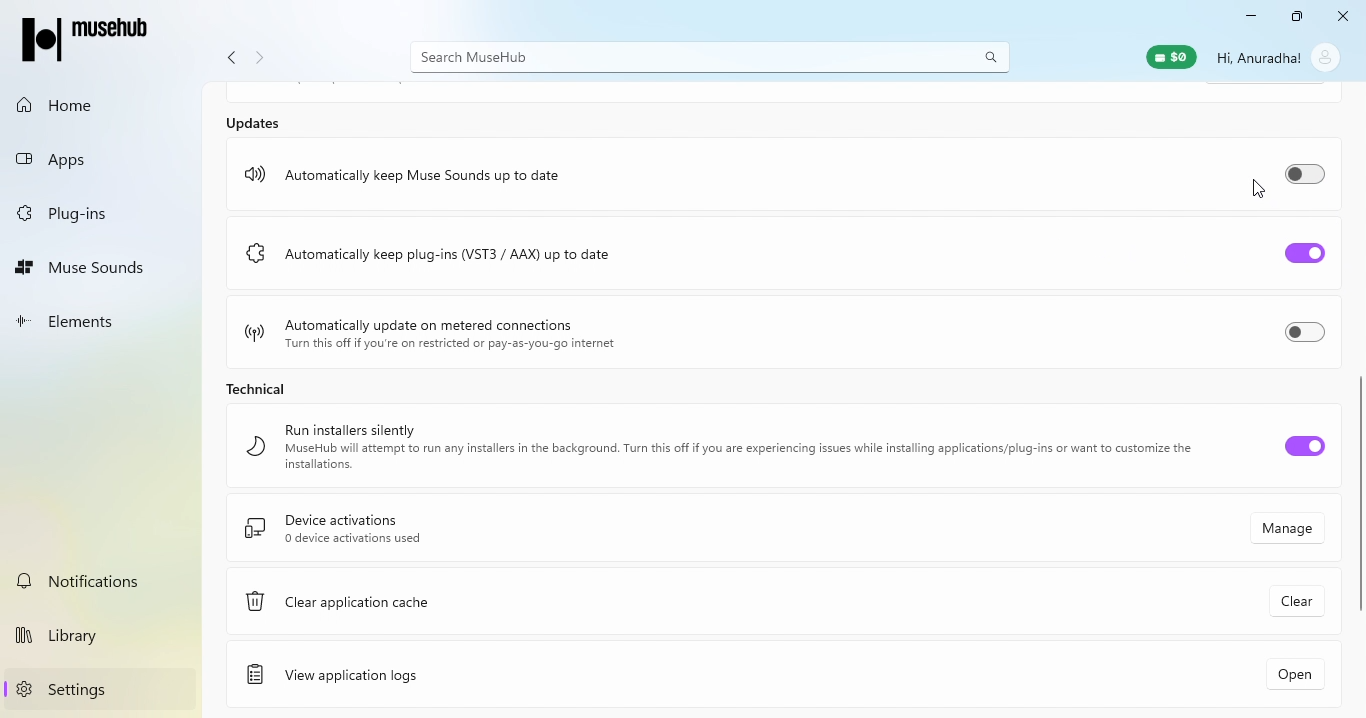 This screenshot has width=1366, height=718. What do you see at coordinates (1295, 248) in the screenshot?
I see `Toggle` at bounding box center [1295, 248].